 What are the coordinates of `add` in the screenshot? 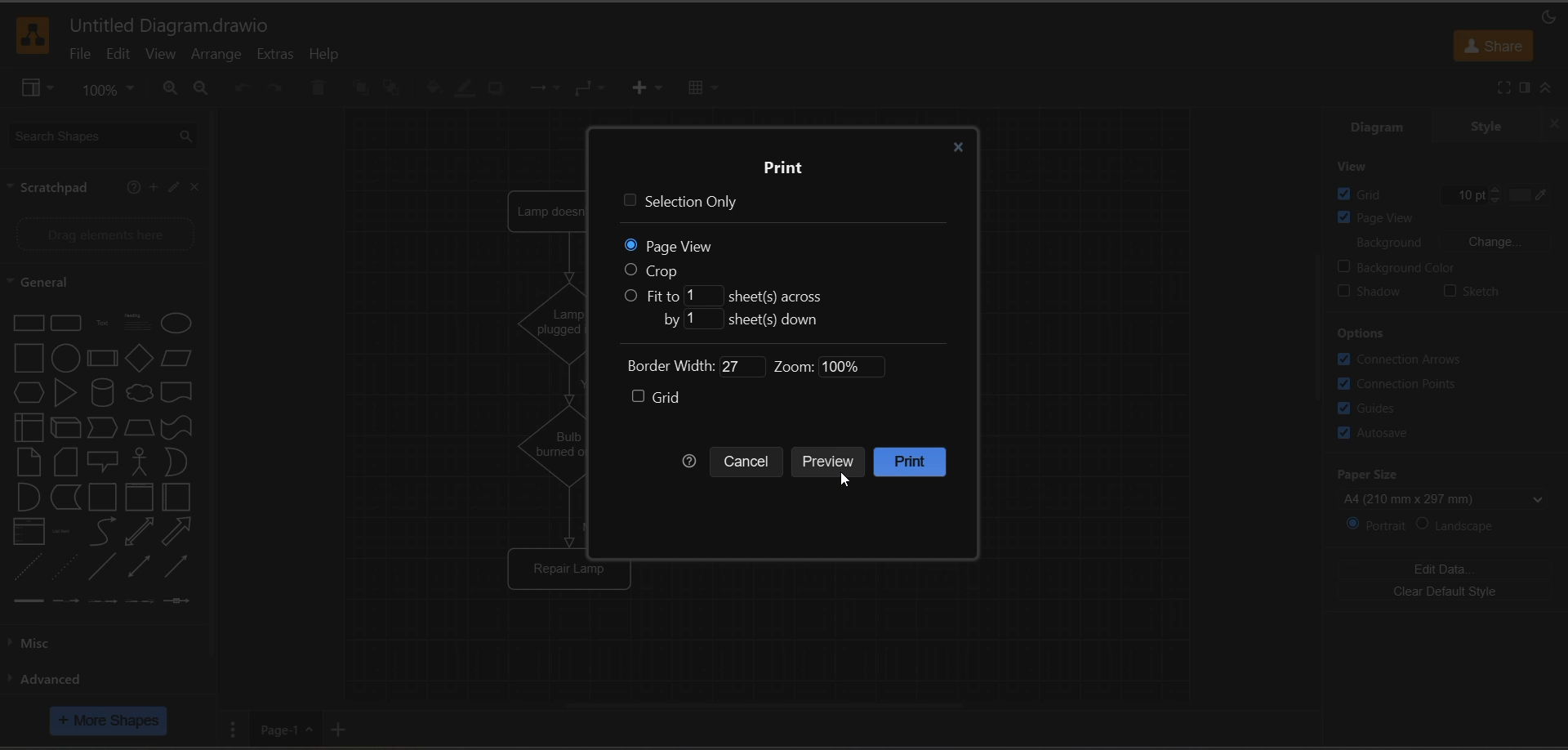 It's located at (152, 186).